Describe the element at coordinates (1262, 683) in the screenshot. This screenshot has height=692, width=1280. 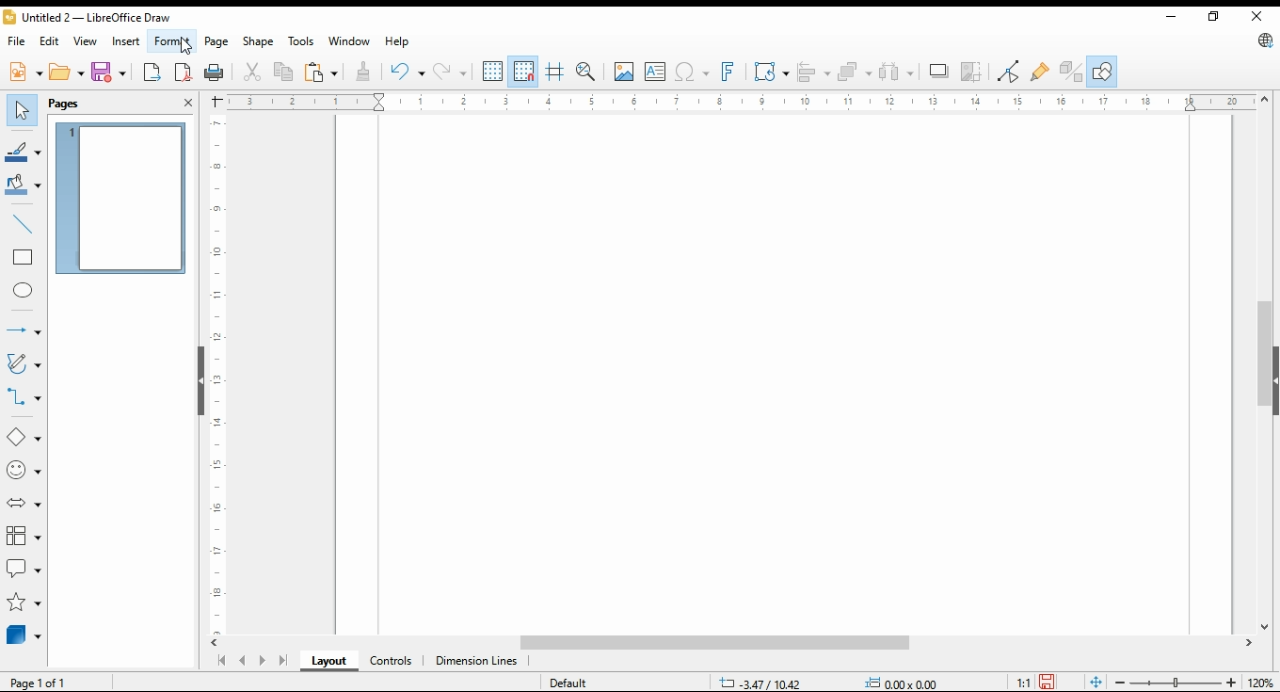
I see `zoom factor` at that location.